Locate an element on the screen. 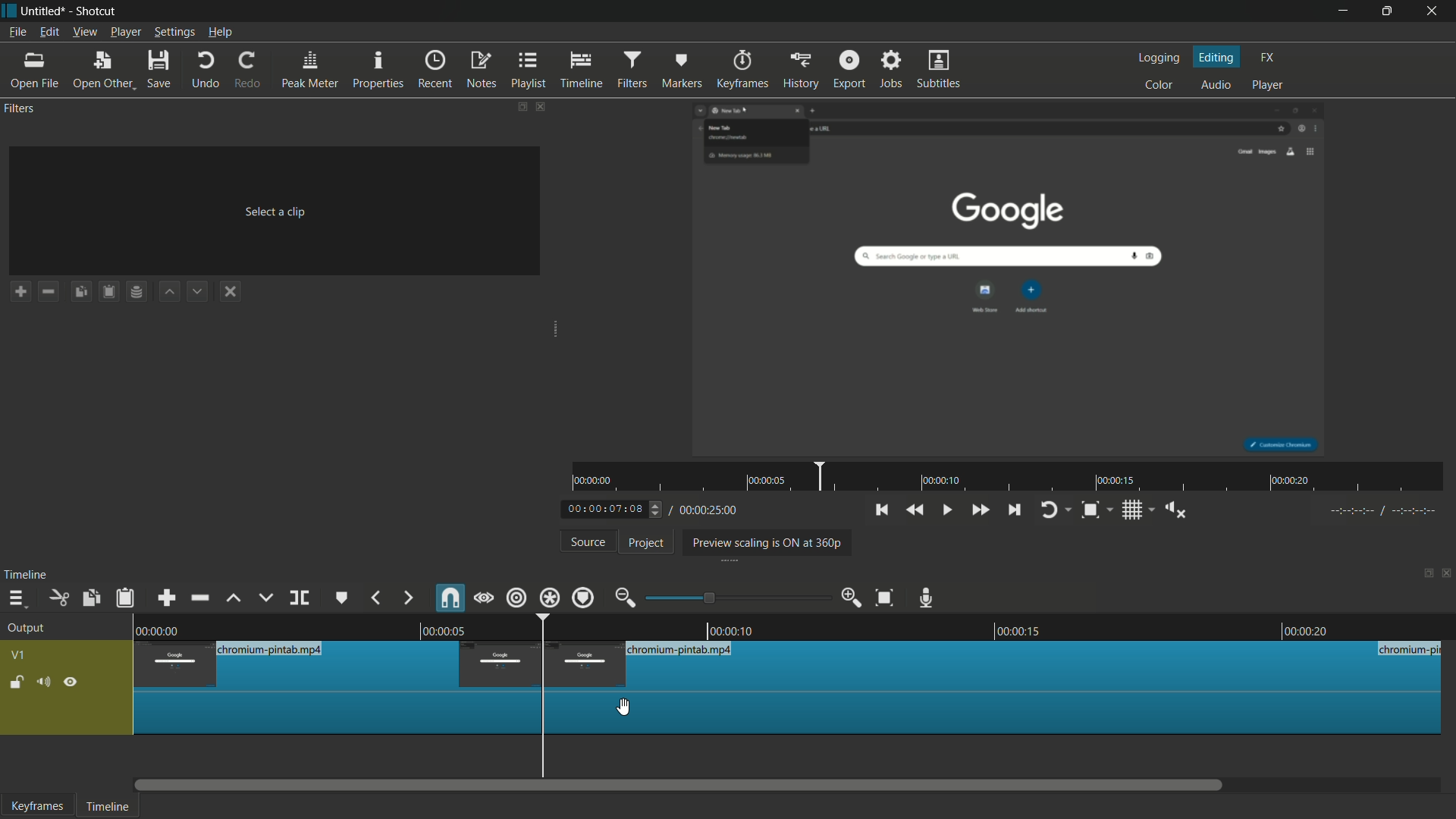 The width and height of the screenshot is (1456, 819). view menu is located at coordinates (83, 33).